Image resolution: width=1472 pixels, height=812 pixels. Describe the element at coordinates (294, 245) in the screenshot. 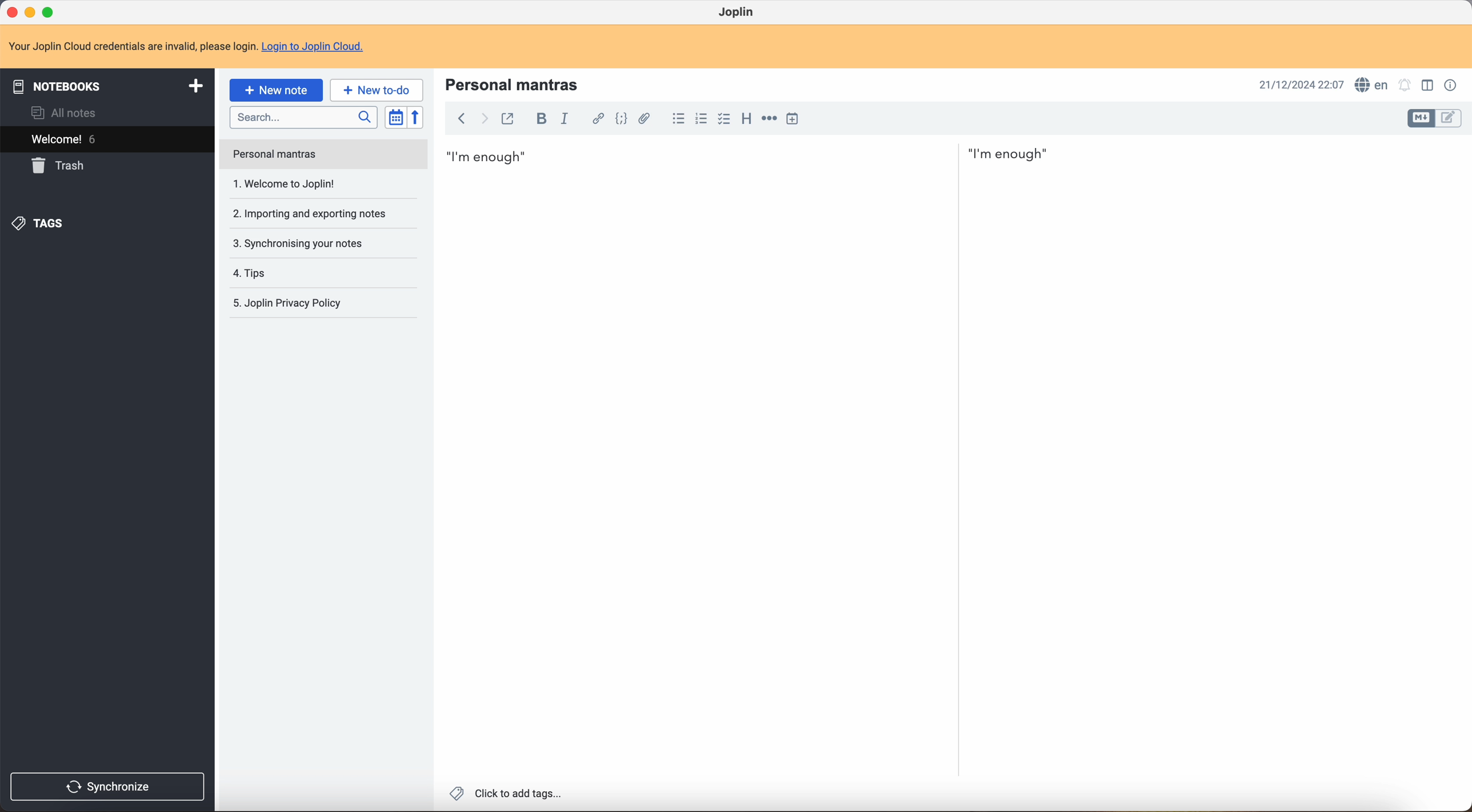

I see `tips` at that location.